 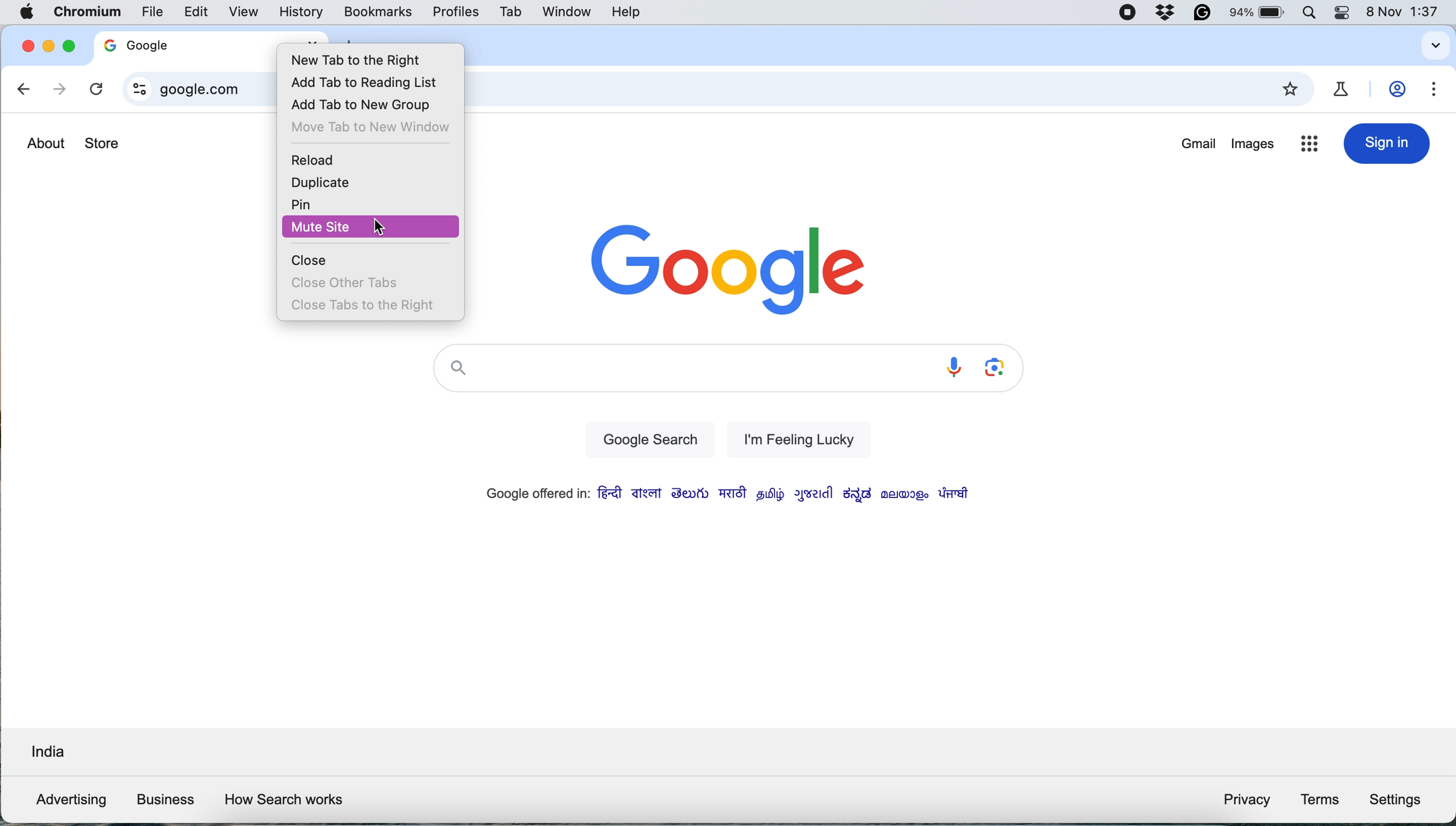 I want to click on date and time, so click(x=1407, y=12).